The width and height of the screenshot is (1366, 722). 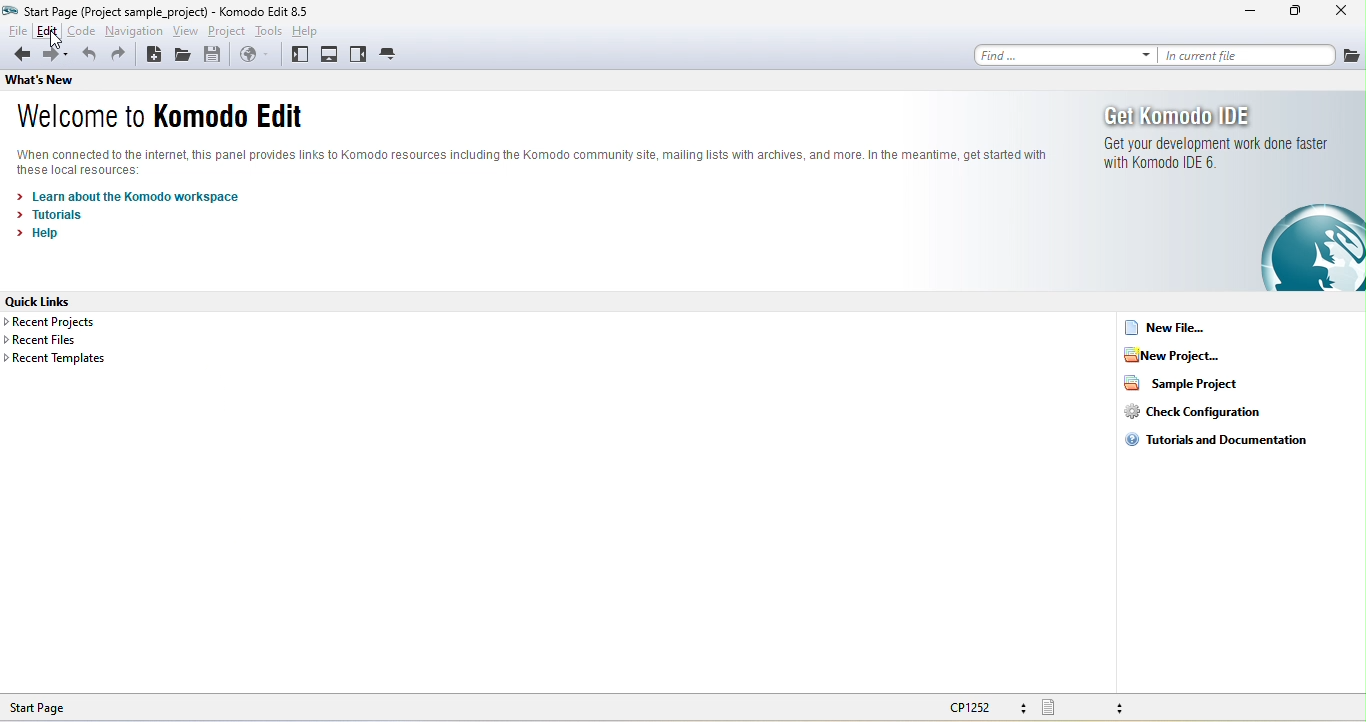 What do you see at coordinates (1300, 11) in the screenshot?
I see `maximize` at bounding box center [1300, 11].